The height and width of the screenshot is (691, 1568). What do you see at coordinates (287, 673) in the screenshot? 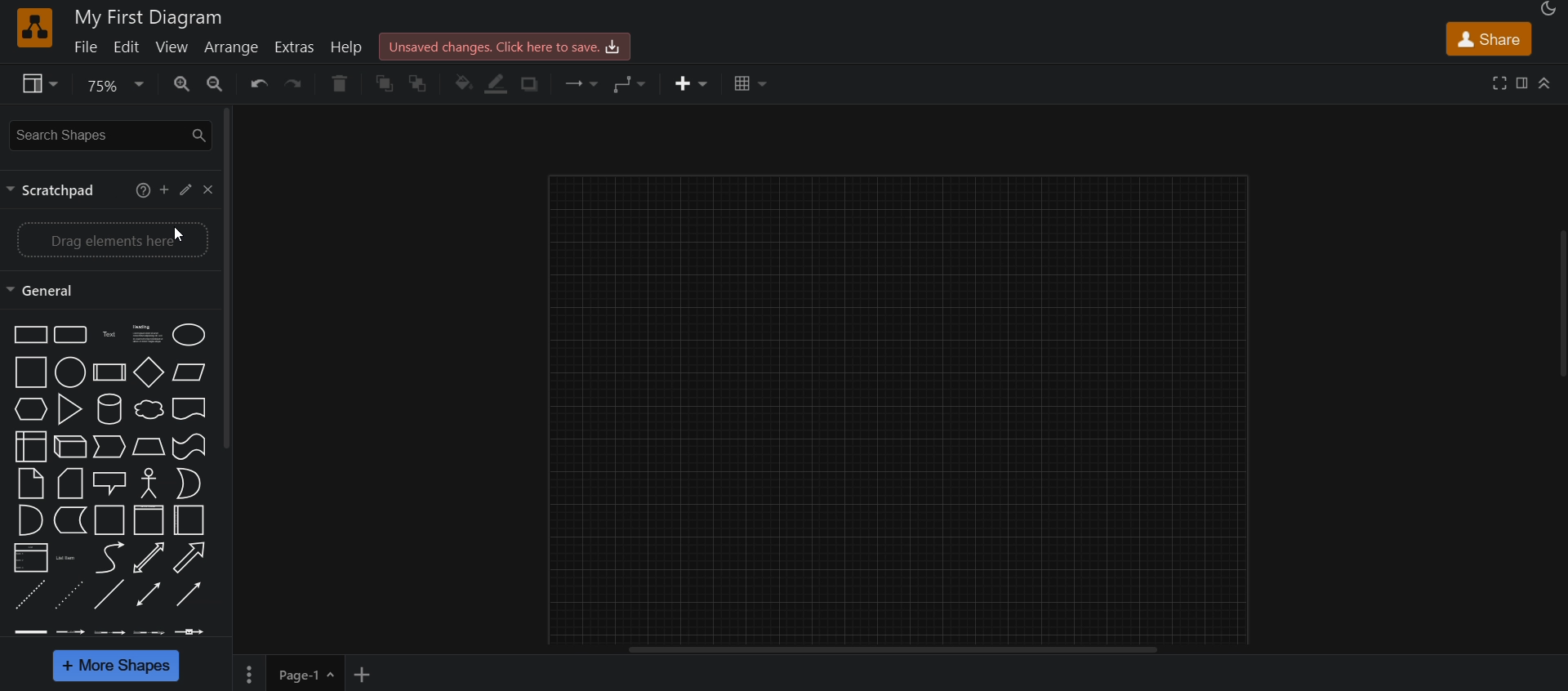
I see `page 1` at bounding box center [287, 673].